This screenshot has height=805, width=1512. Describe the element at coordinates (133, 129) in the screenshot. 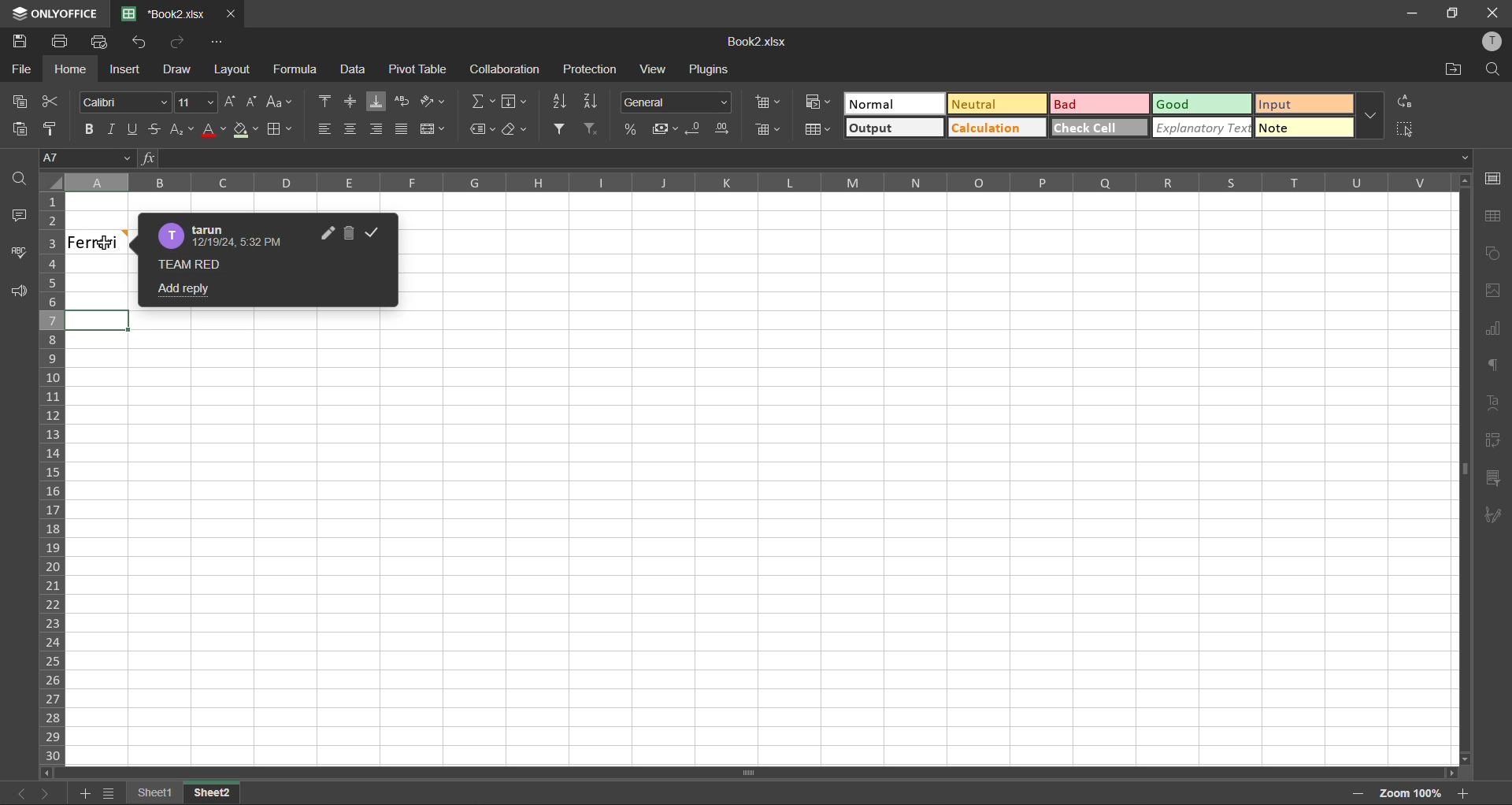

I see `underline` at that location.